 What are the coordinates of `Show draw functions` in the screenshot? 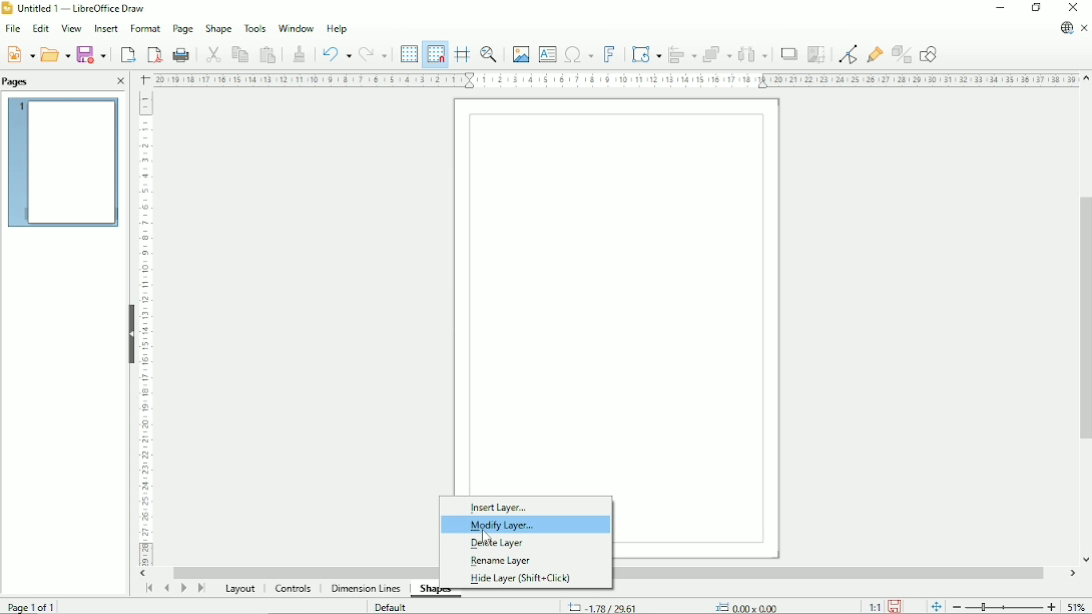 It's located at (930, 54).